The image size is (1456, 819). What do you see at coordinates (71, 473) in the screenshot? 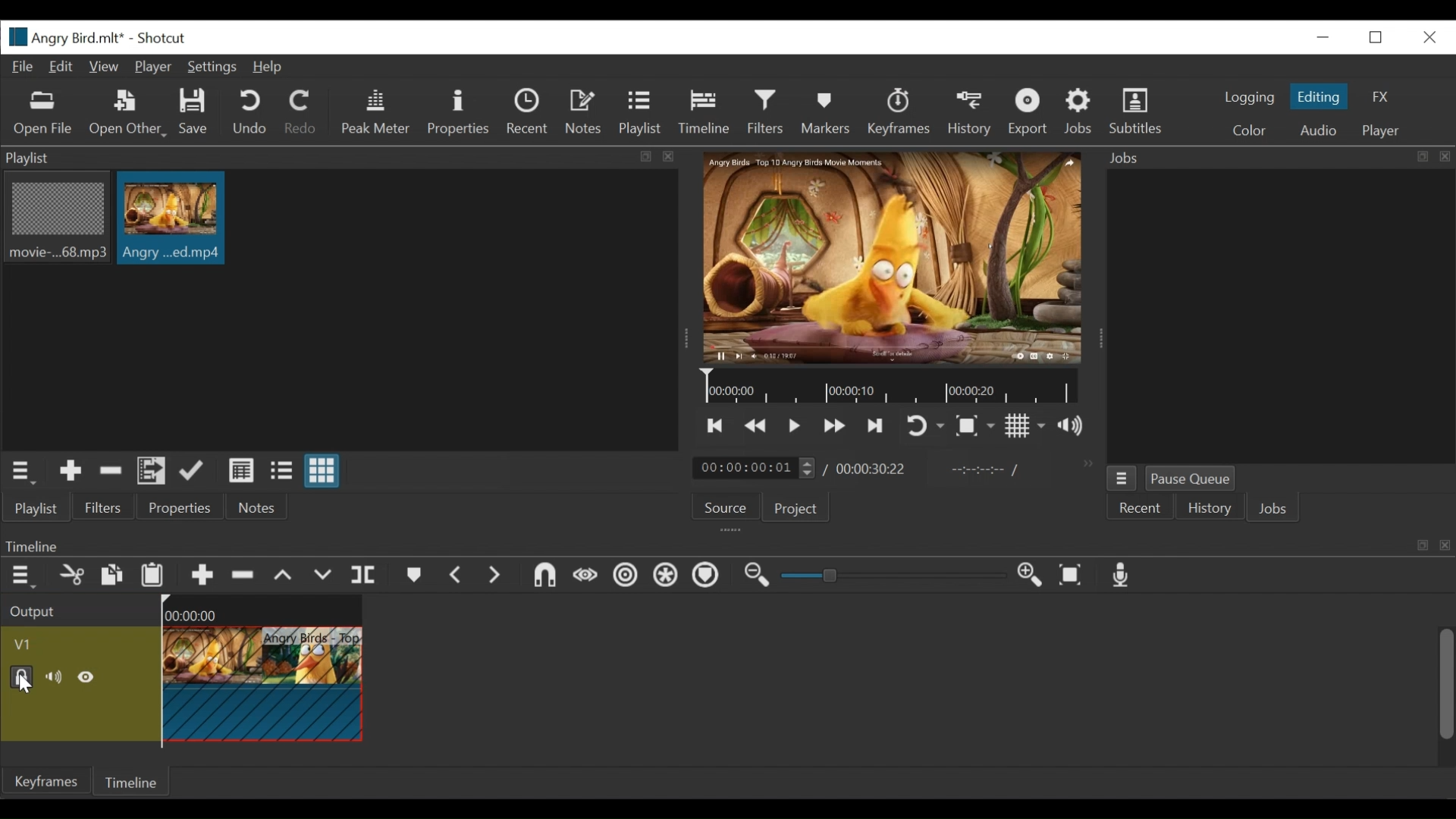
I see `Add the Source to the playlist` at bounding box center [71, 473].